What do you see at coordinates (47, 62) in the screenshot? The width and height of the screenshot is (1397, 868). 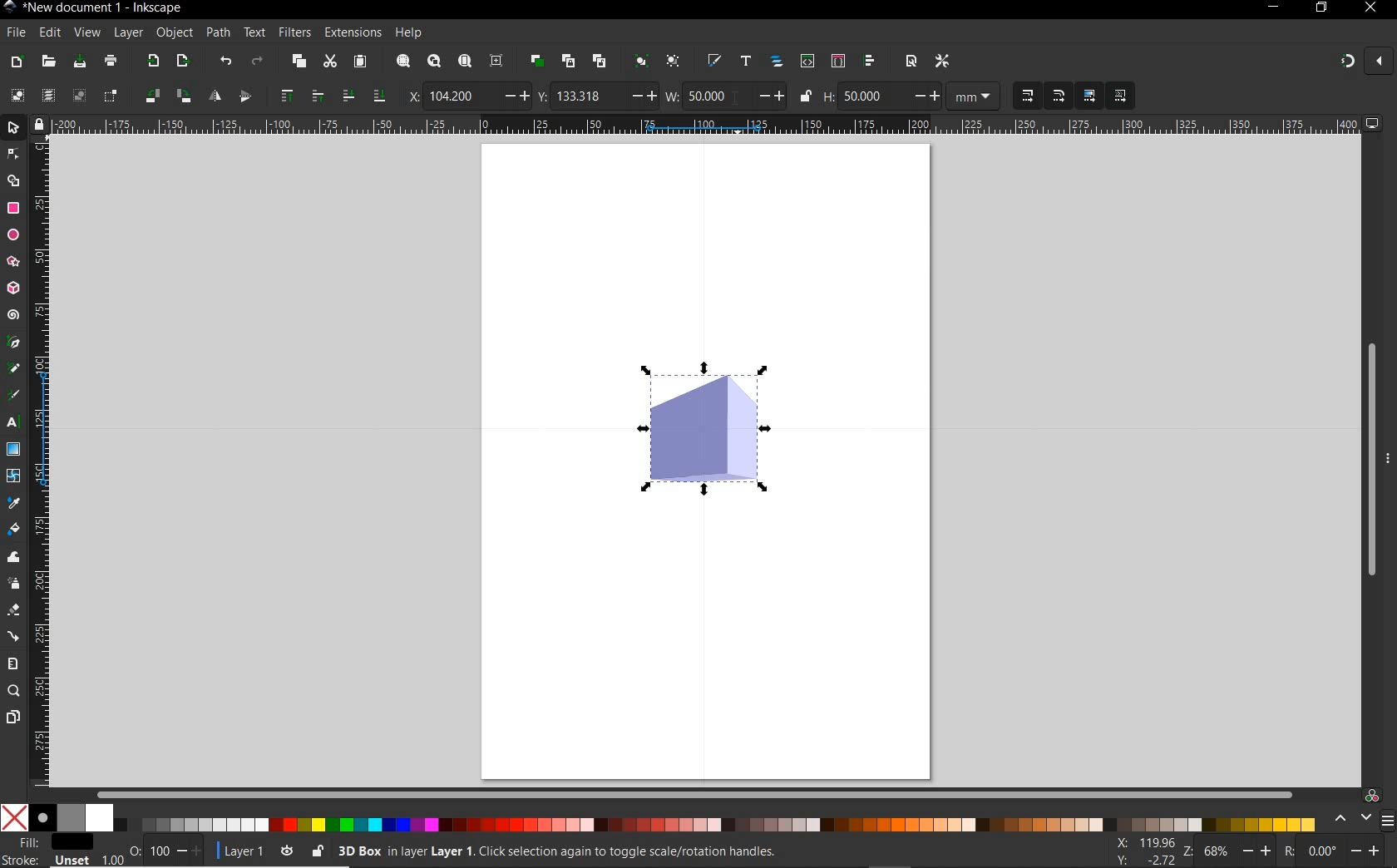 I see `open file dialog` at bounding box center [47, 62].